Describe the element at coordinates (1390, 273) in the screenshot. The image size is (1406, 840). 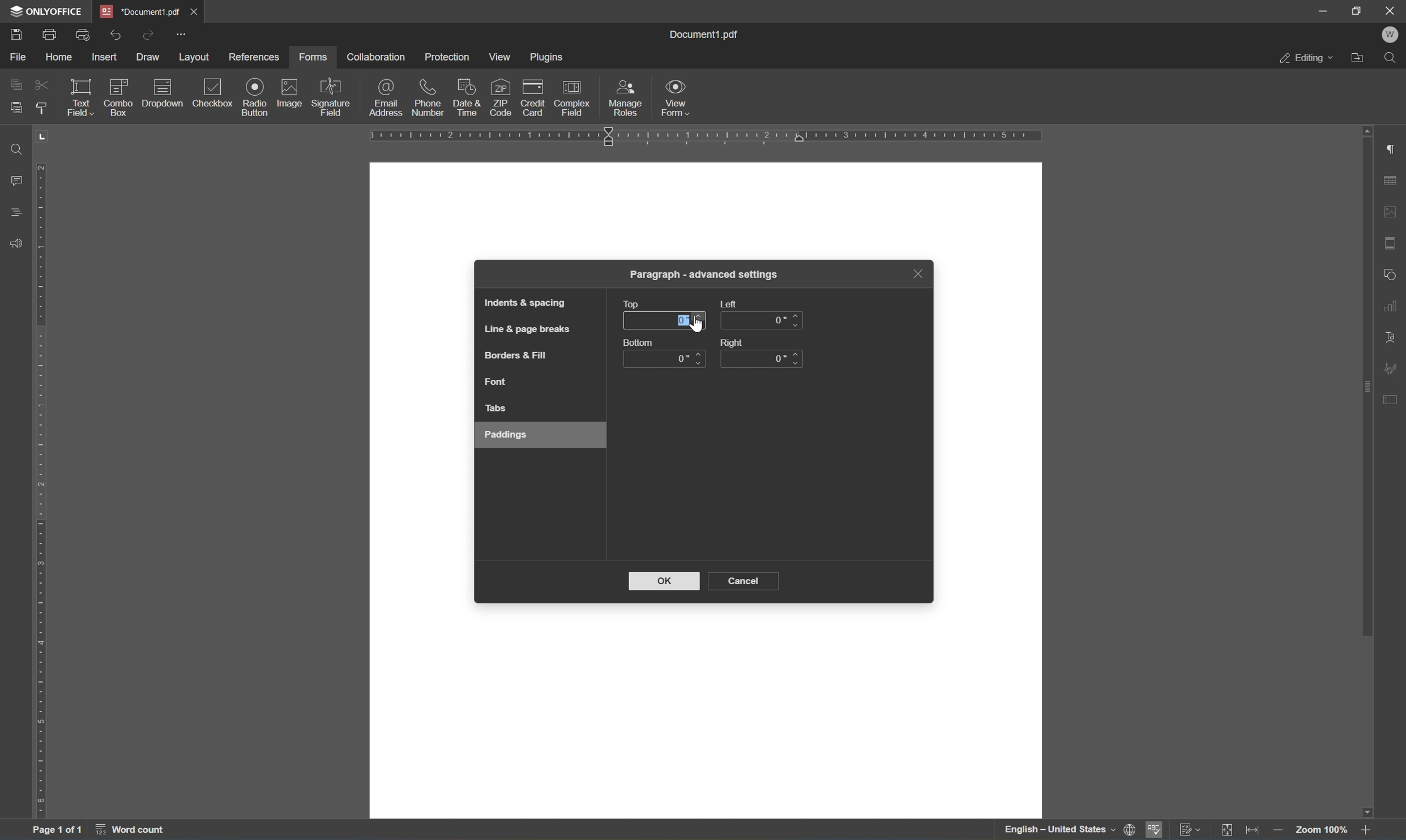
I see `shape settings` at that location.